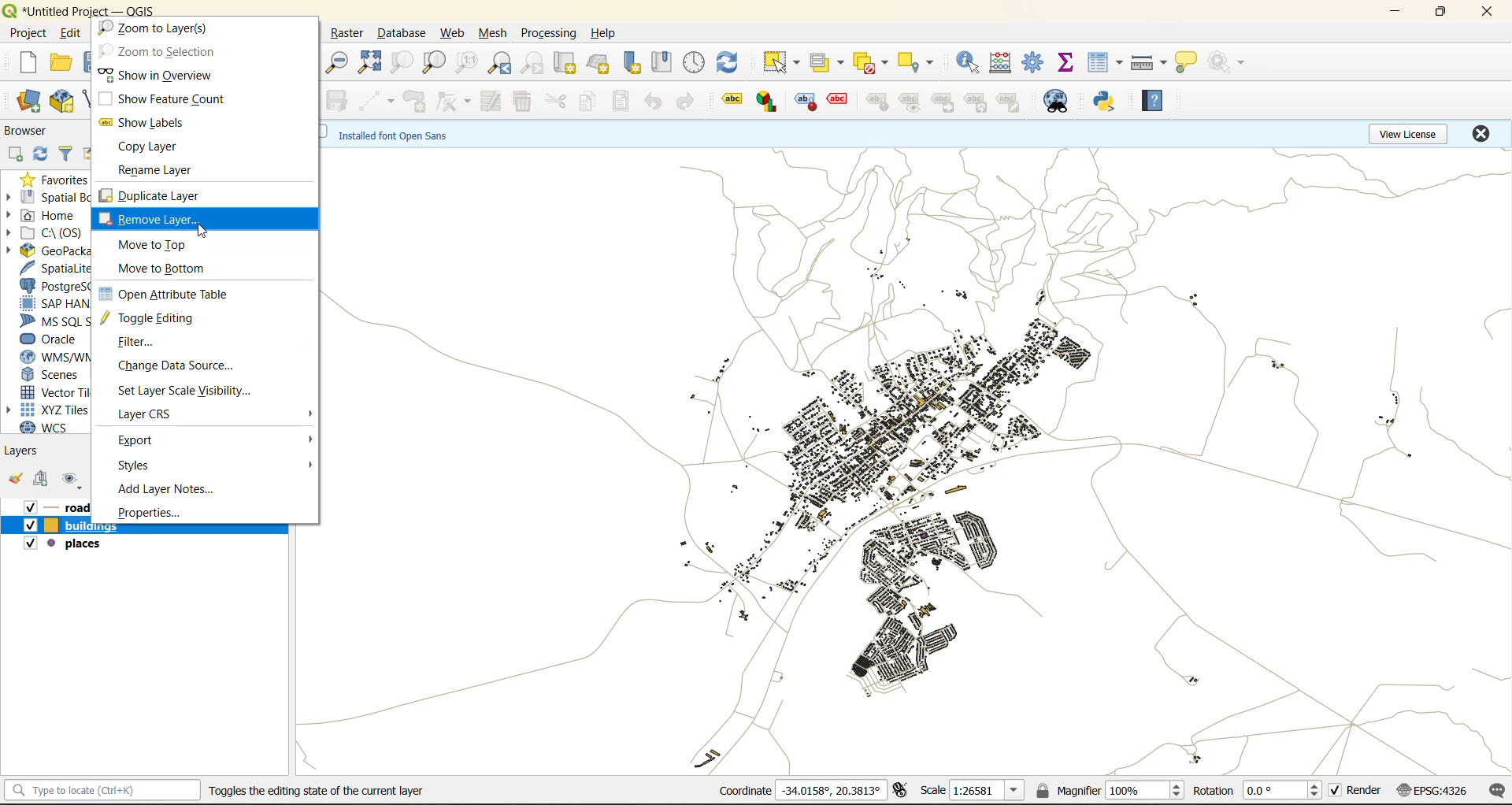 Image resolution: width=1512 pixels, height=805 pixels. I want to click on export, so click(149, 441).